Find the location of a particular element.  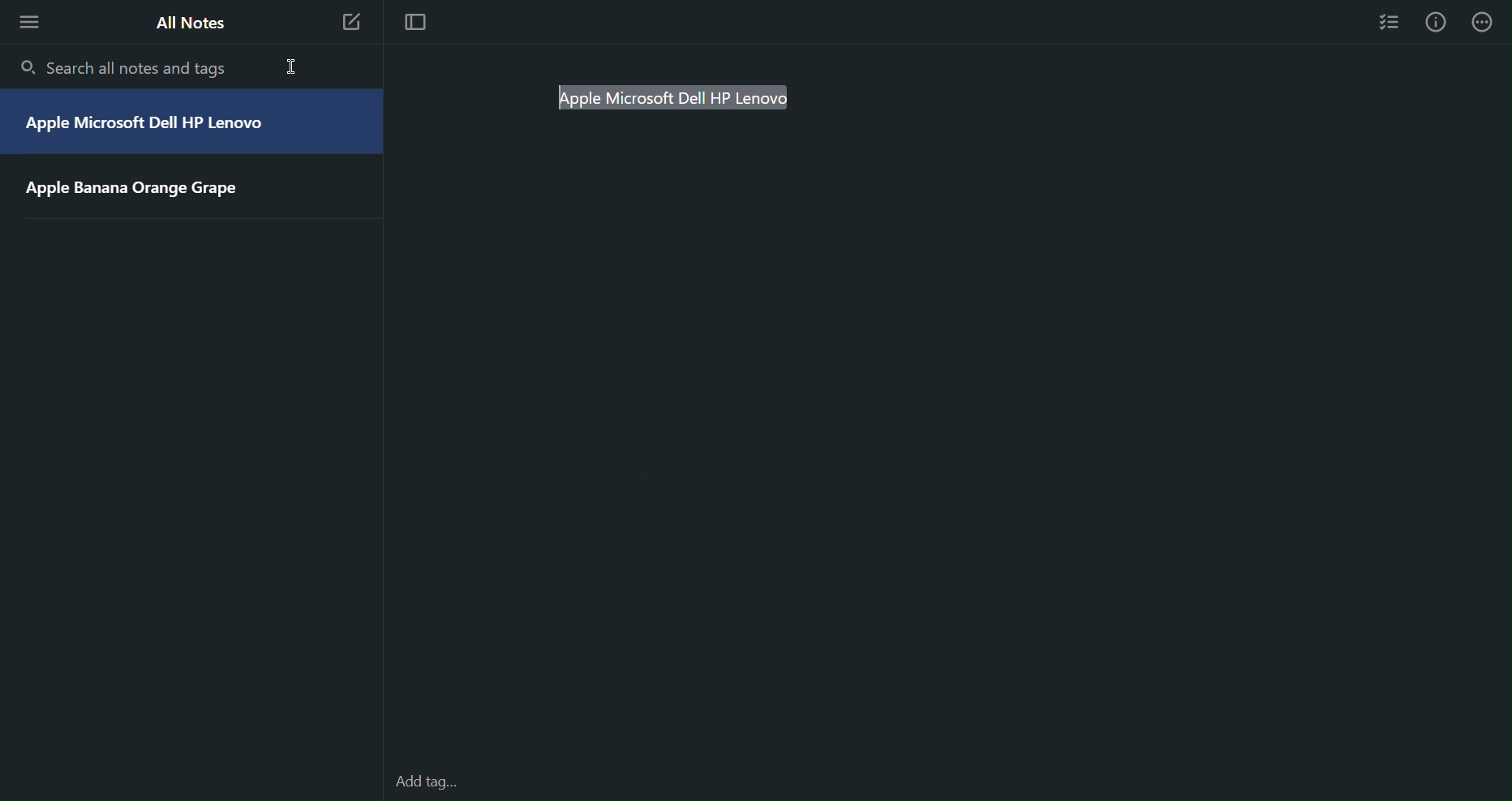

New Note is located at coordinates (351, 23).